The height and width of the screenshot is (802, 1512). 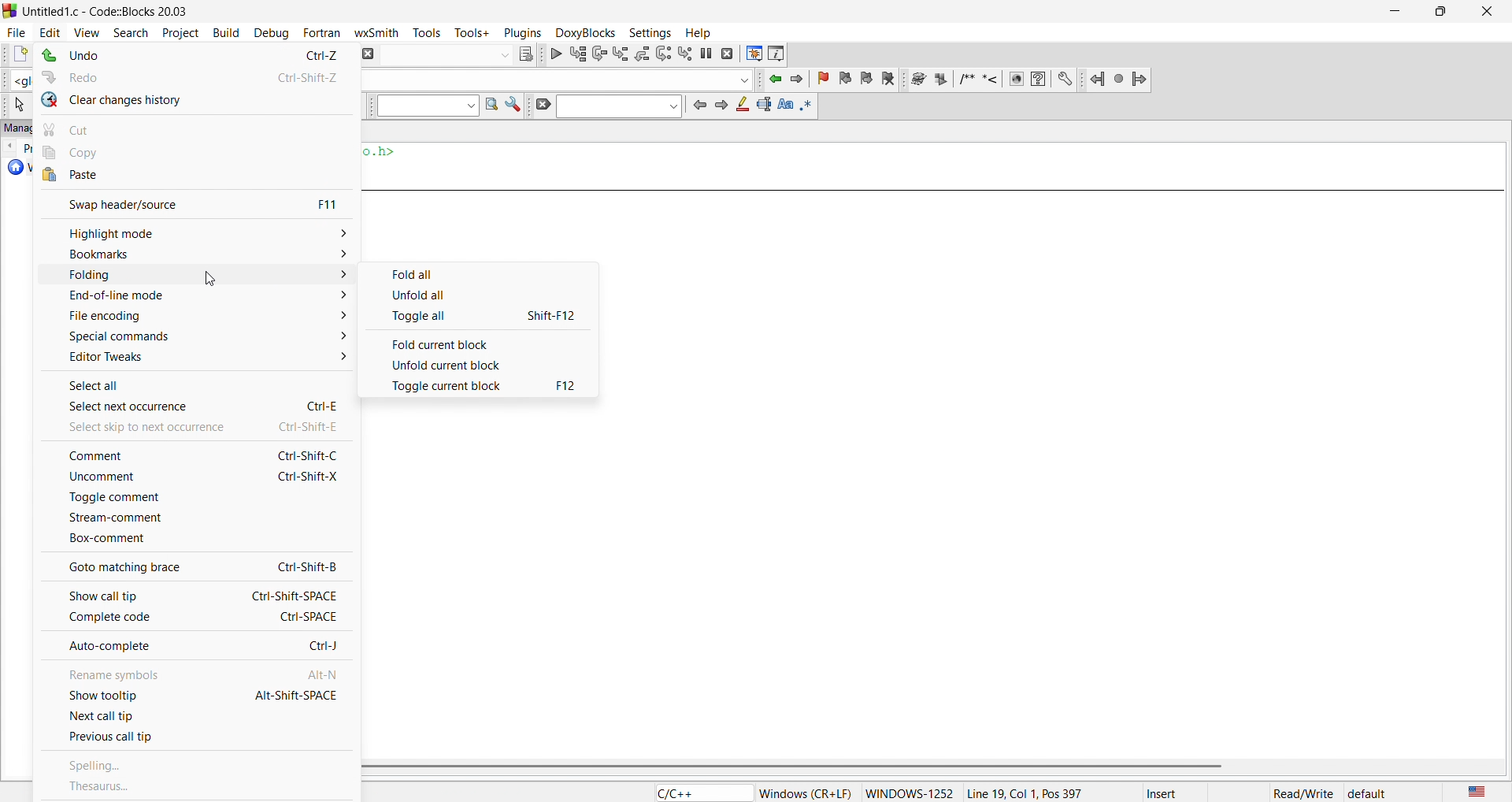 What do you see at coordinates (198, 127) in the screenshot?
I see `cut` at bounding box center [198, 127].